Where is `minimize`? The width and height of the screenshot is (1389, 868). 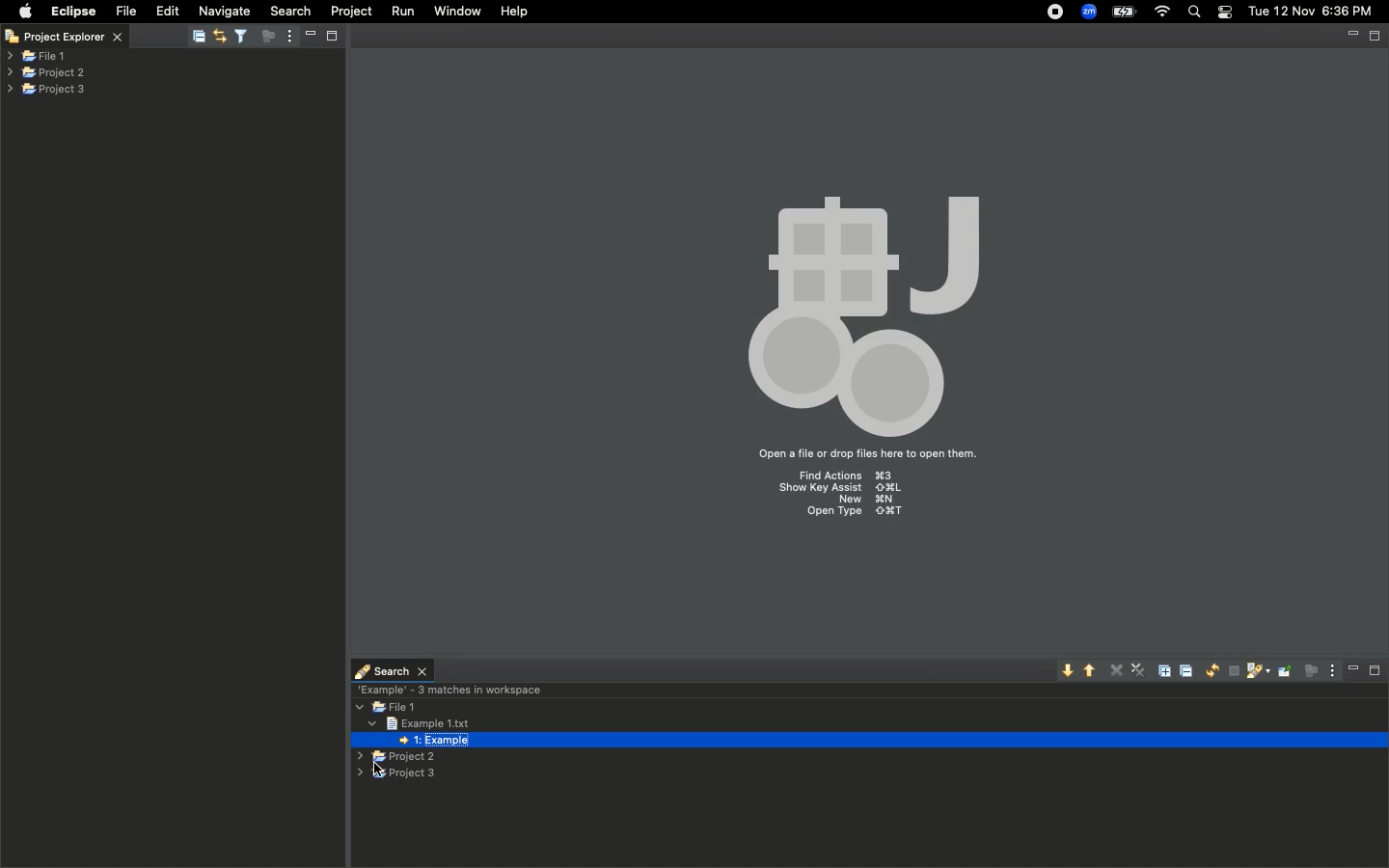
minimize is located at coordinates (1352, 37).